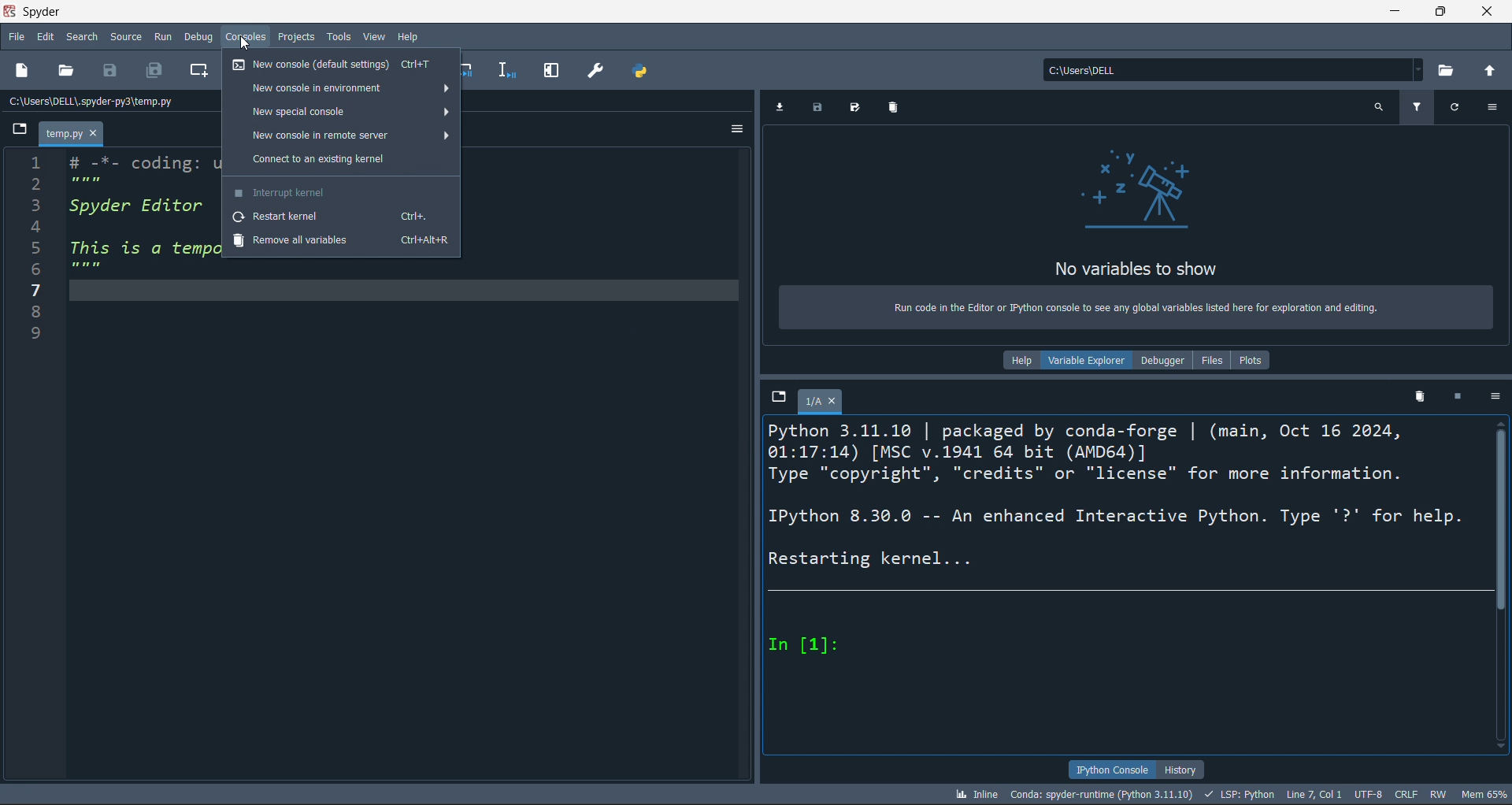 The image size is (1512, 805). I want to click on import, so click(780, 109).